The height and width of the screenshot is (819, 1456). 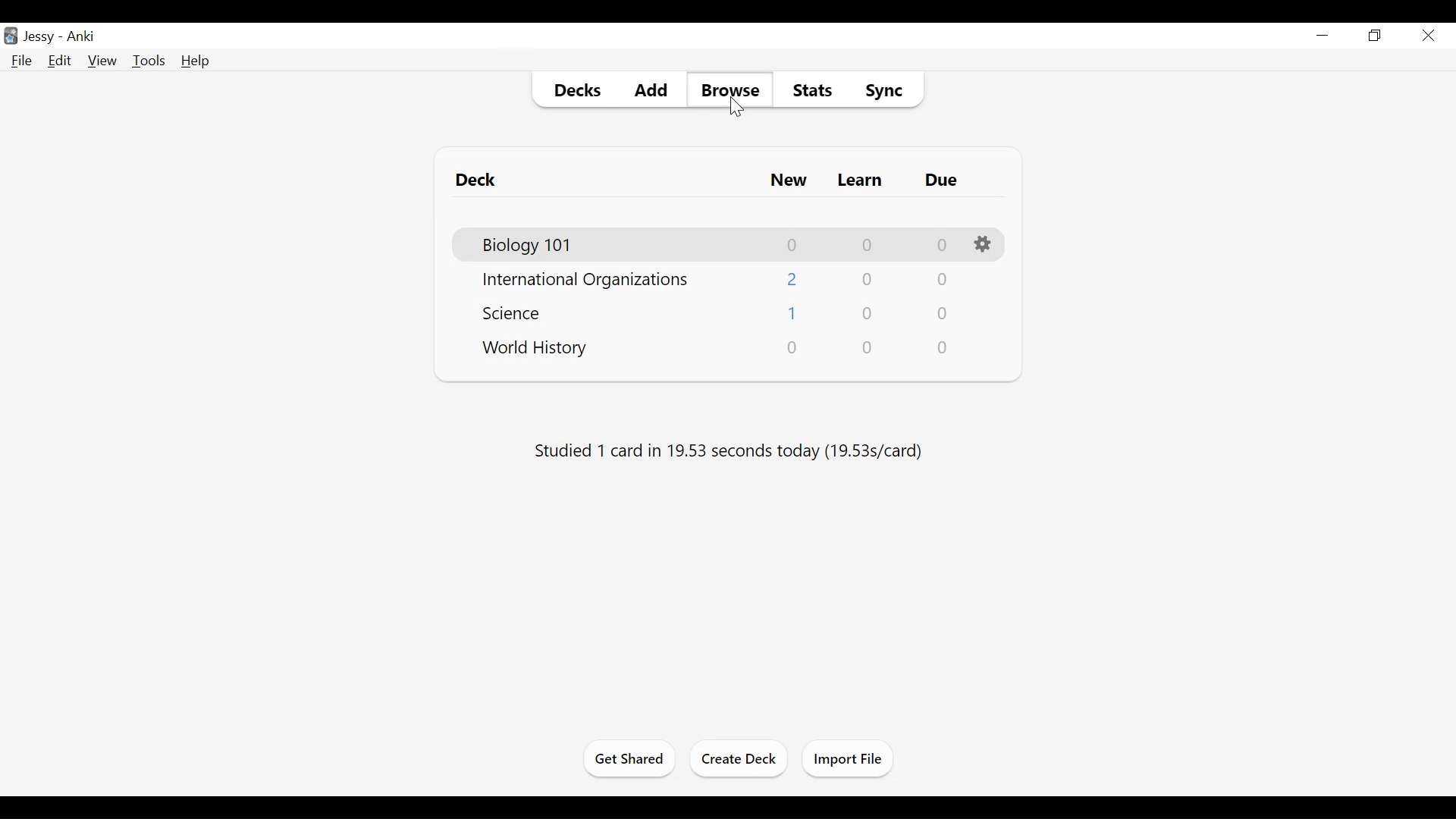 I want to click on Tools, so click(x=148, y=61).